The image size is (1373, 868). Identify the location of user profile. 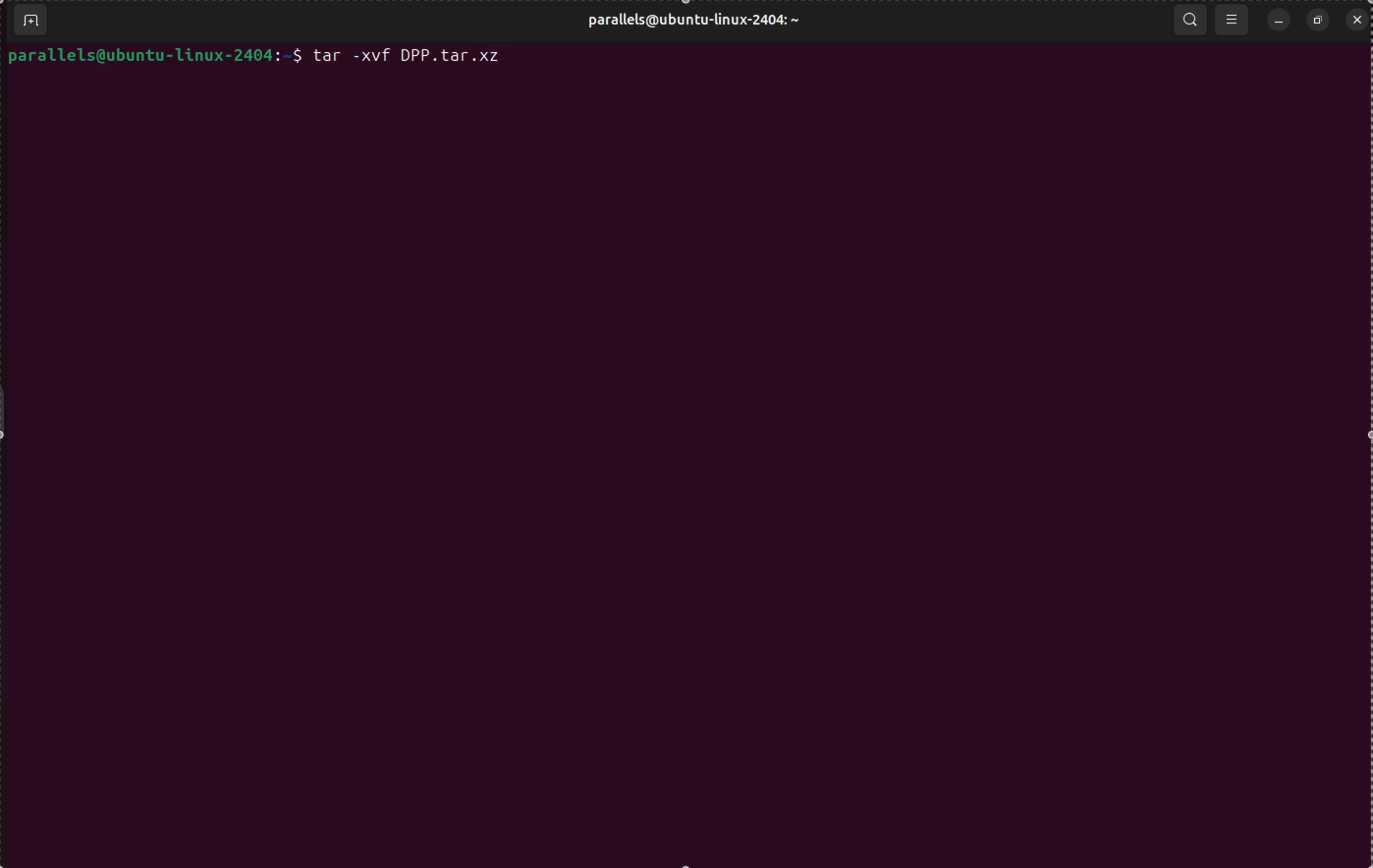
(690, 22).